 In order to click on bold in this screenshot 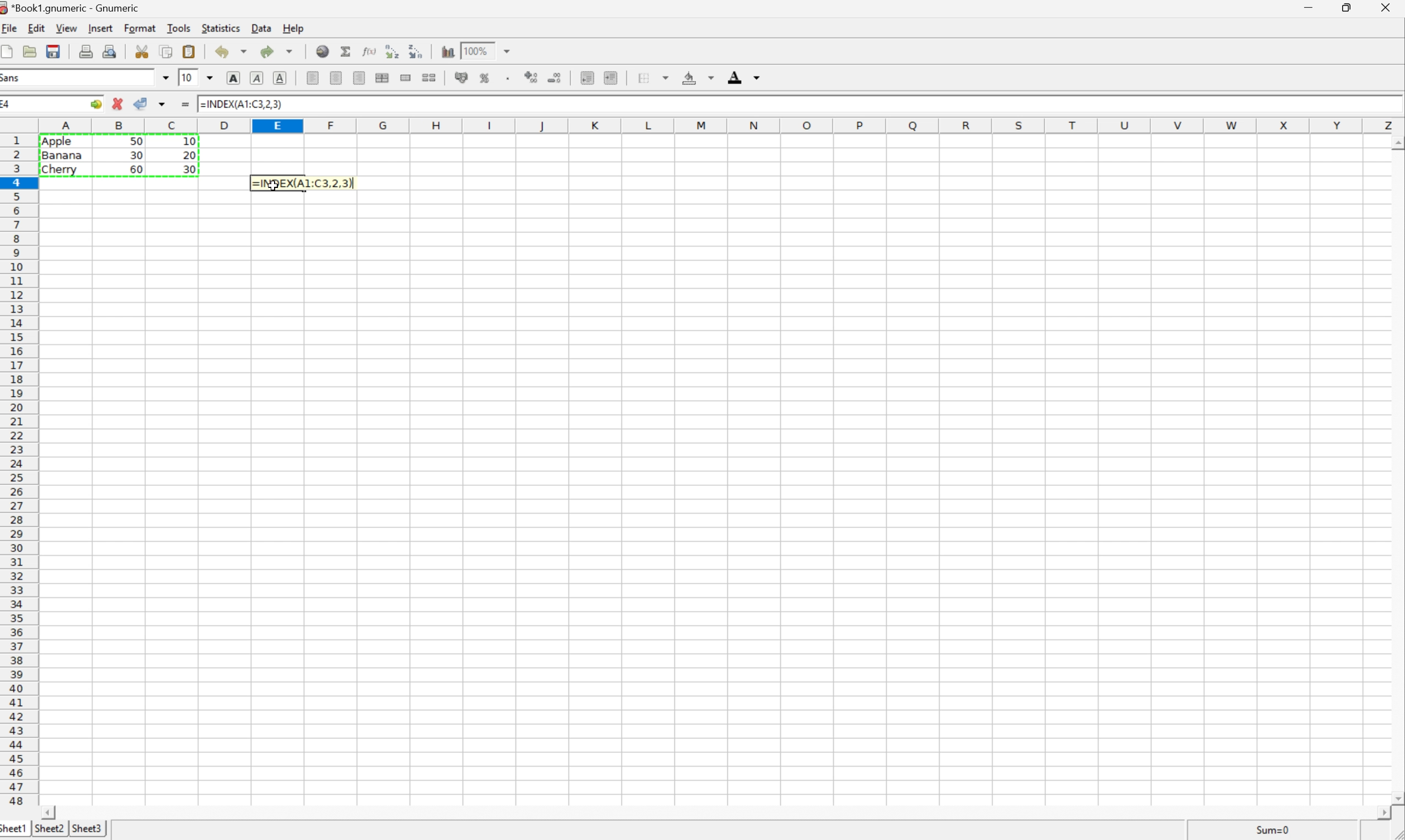, I will do `click(234, 77)`.